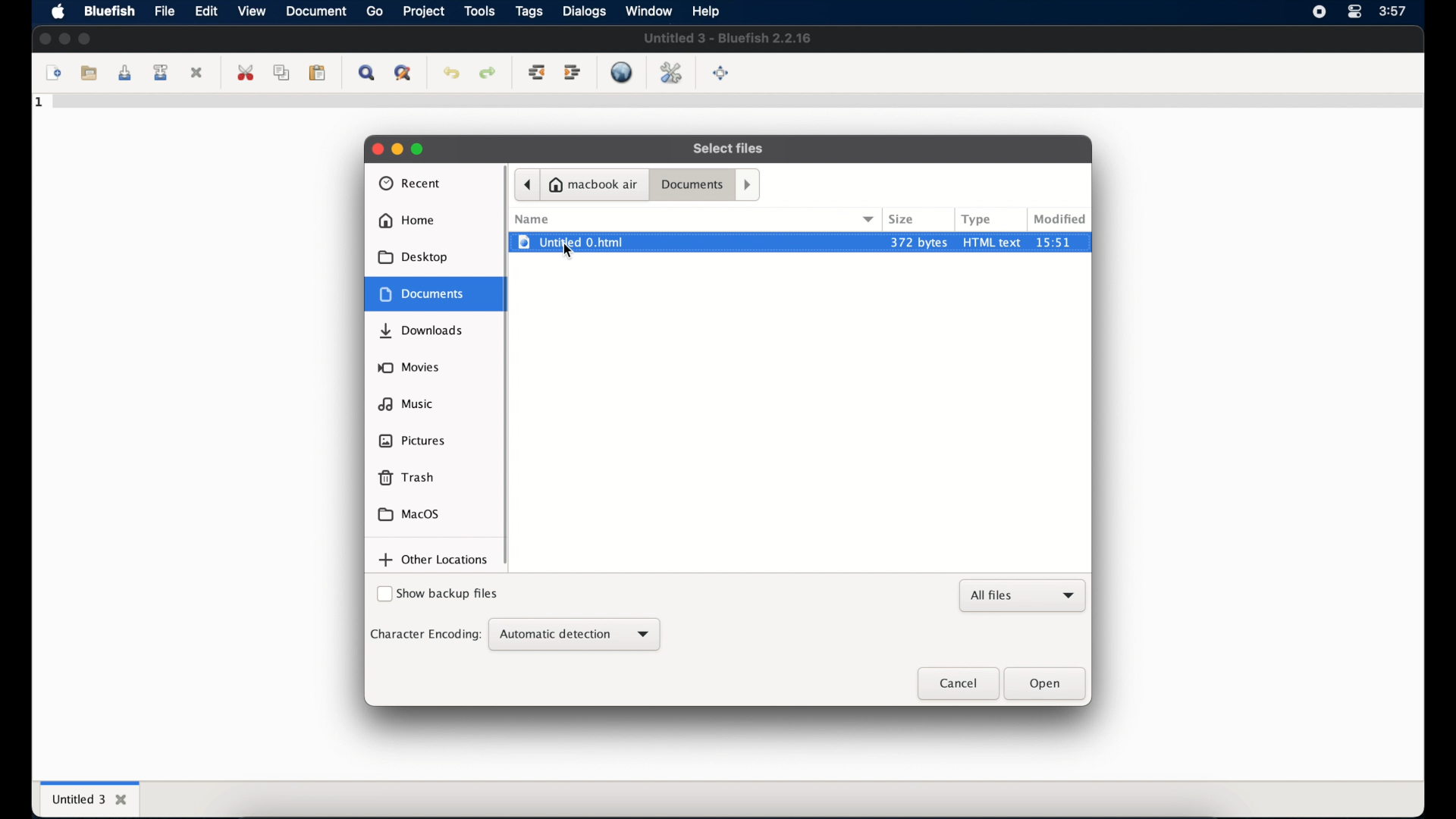  I want to click on macOS, so click(409, 514).